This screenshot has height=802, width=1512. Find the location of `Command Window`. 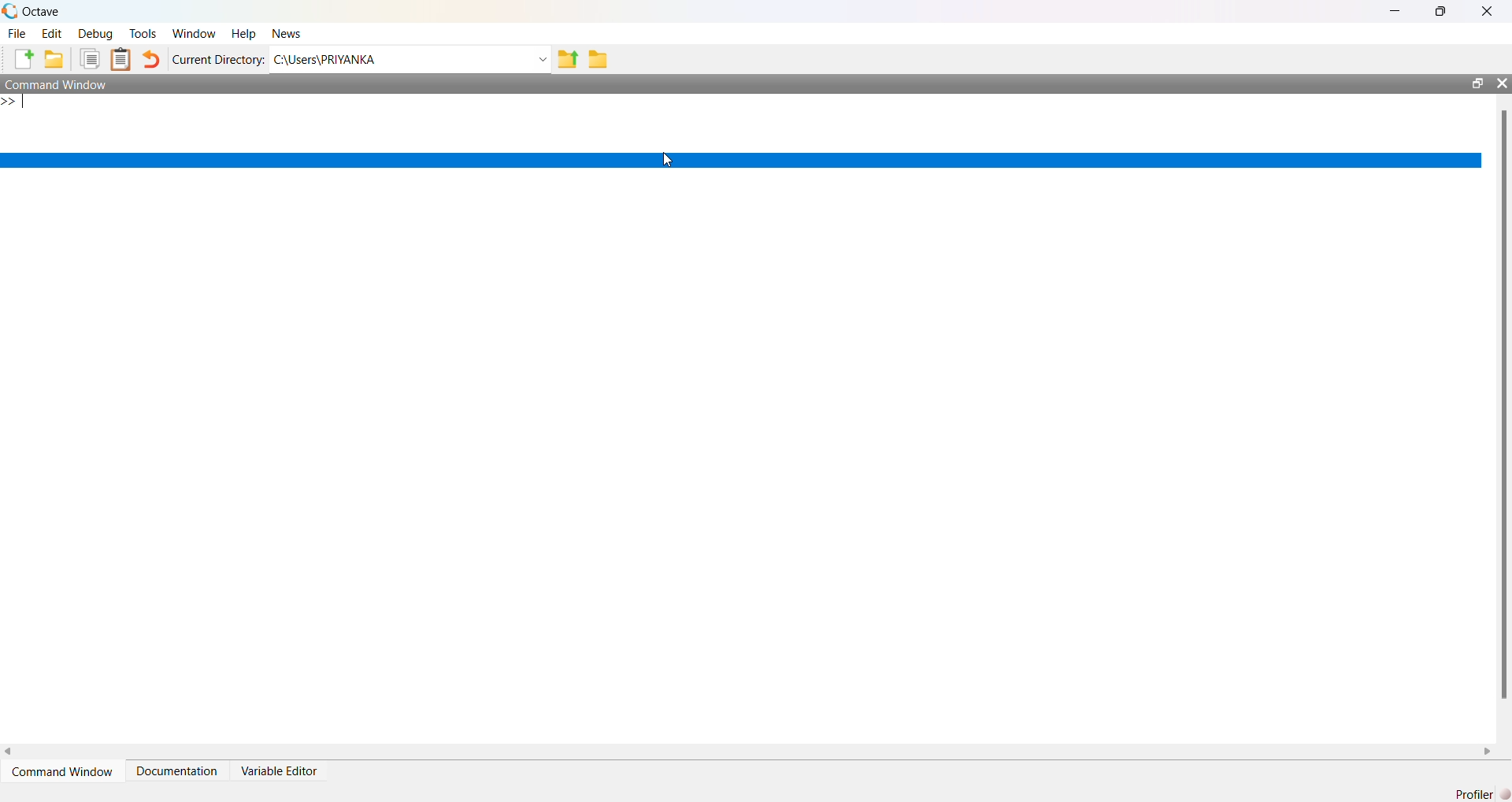

Command Window is located at coordinates (62, 772).